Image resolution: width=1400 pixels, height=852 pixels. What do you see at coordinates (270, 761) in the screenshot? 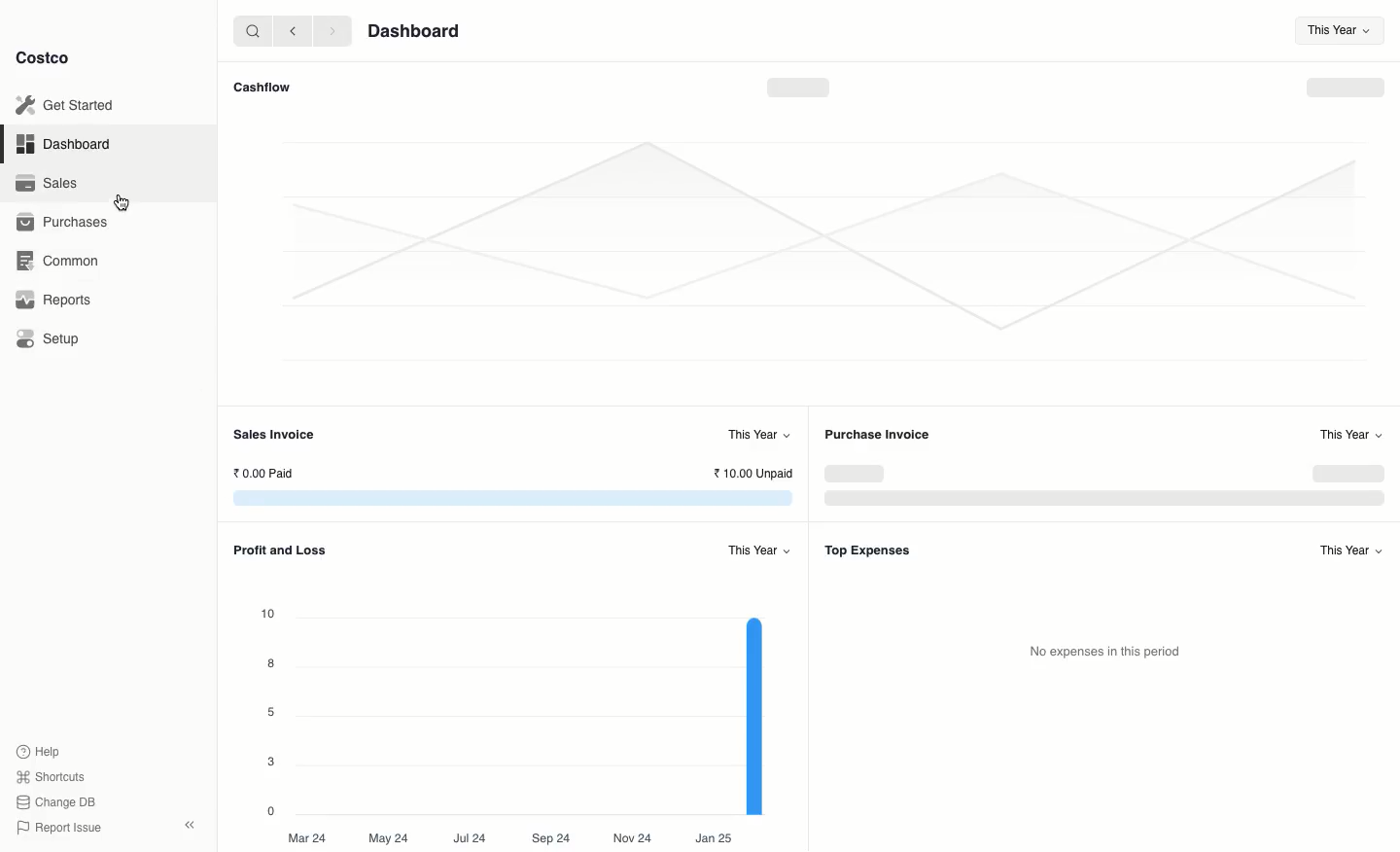
I see `3` at bounding box center [270, 761].